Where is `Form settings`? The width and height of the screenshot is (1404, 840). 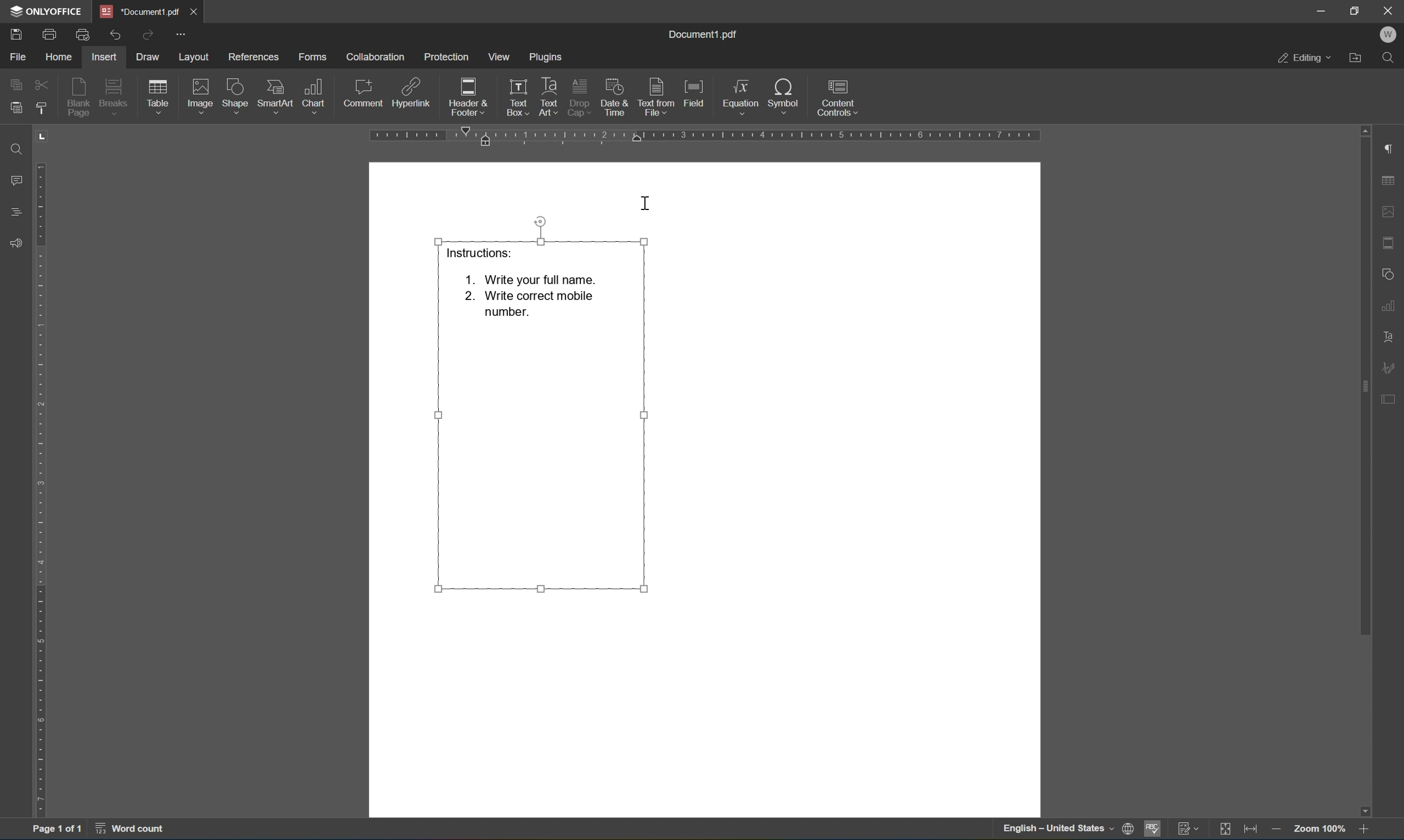
Form settings is located at coordinates (1390, 397).